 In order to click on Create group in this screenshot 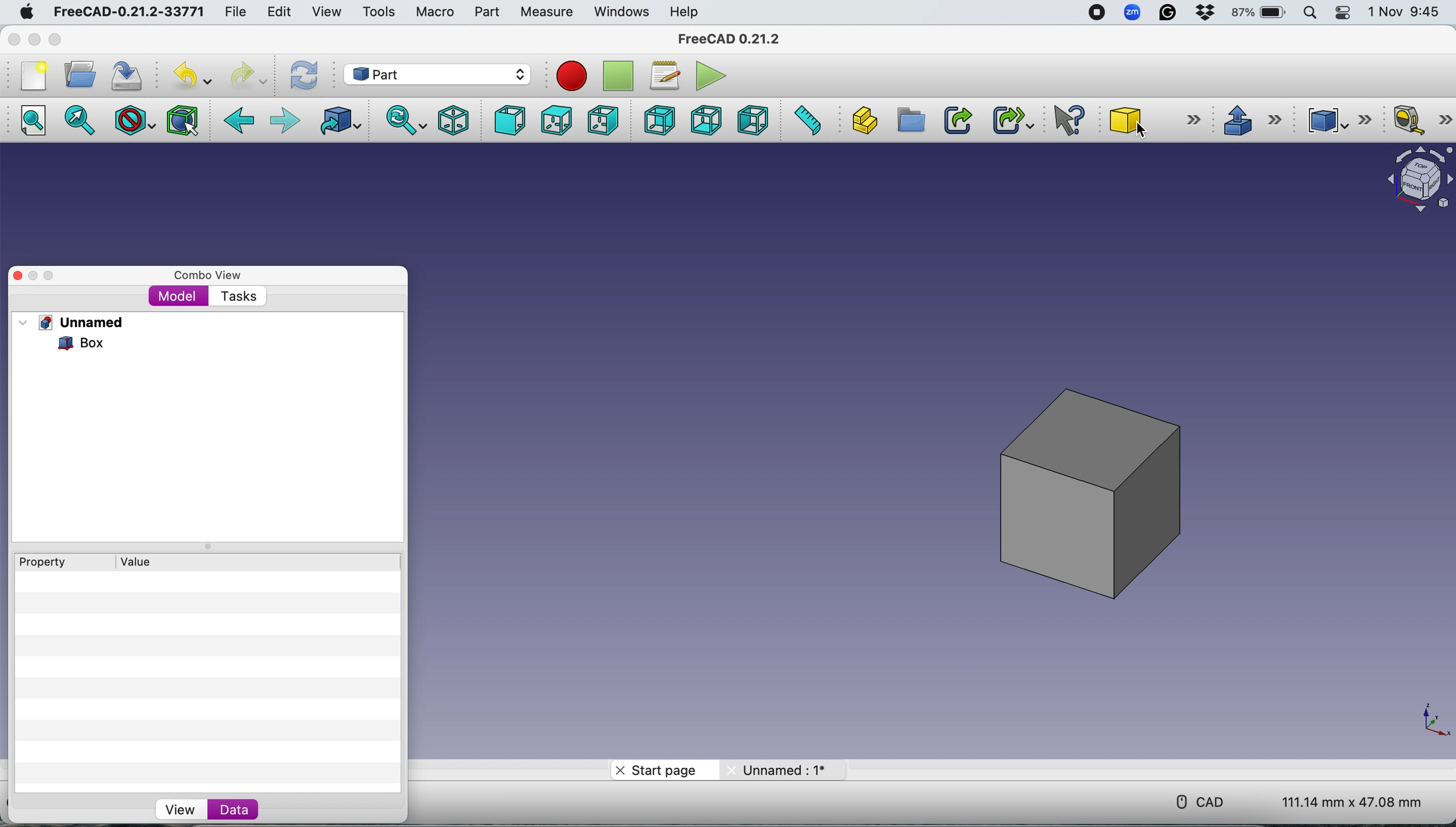, I will do `click(909, 120)`.